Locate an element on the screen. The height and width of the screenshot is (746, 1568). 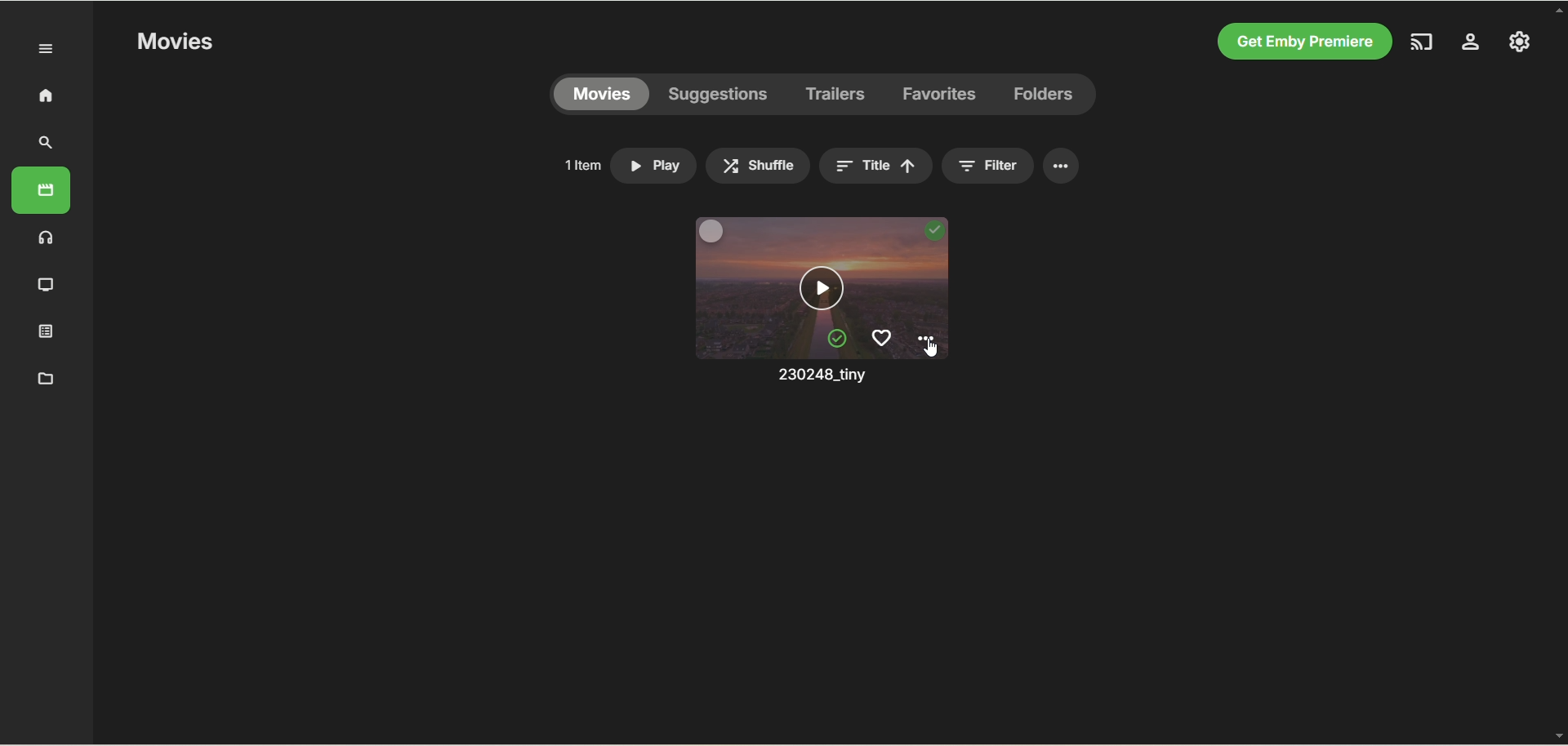
get emby premiere is located at coordinates (1300, 42).